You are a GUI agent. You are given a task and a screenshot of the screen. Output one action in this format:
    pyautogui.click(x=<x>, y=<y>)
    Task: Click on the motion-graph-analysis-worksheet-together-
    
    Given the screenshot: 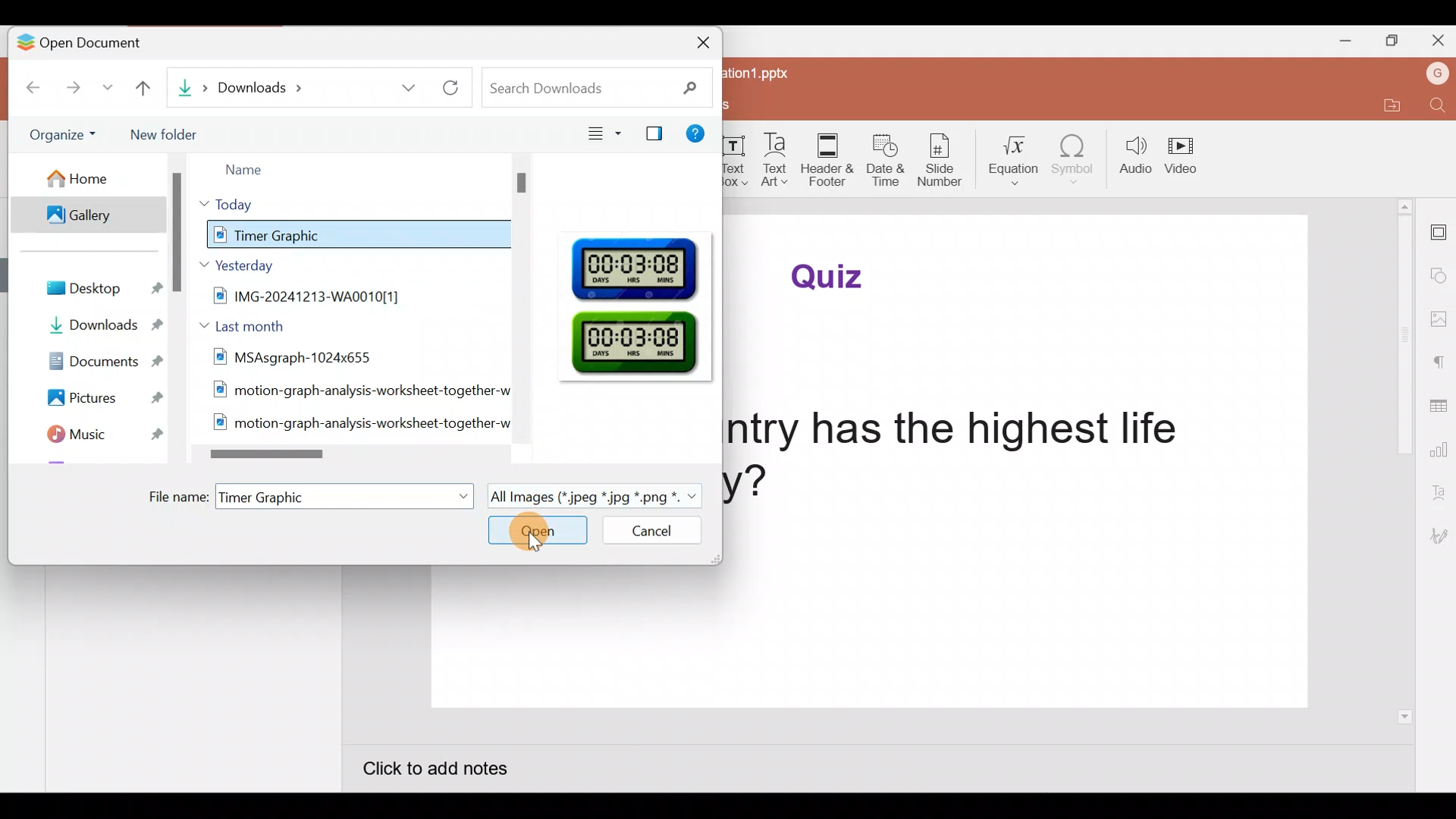 What is the action you would take?
    pyautogui.click(x=353, y=393)
    